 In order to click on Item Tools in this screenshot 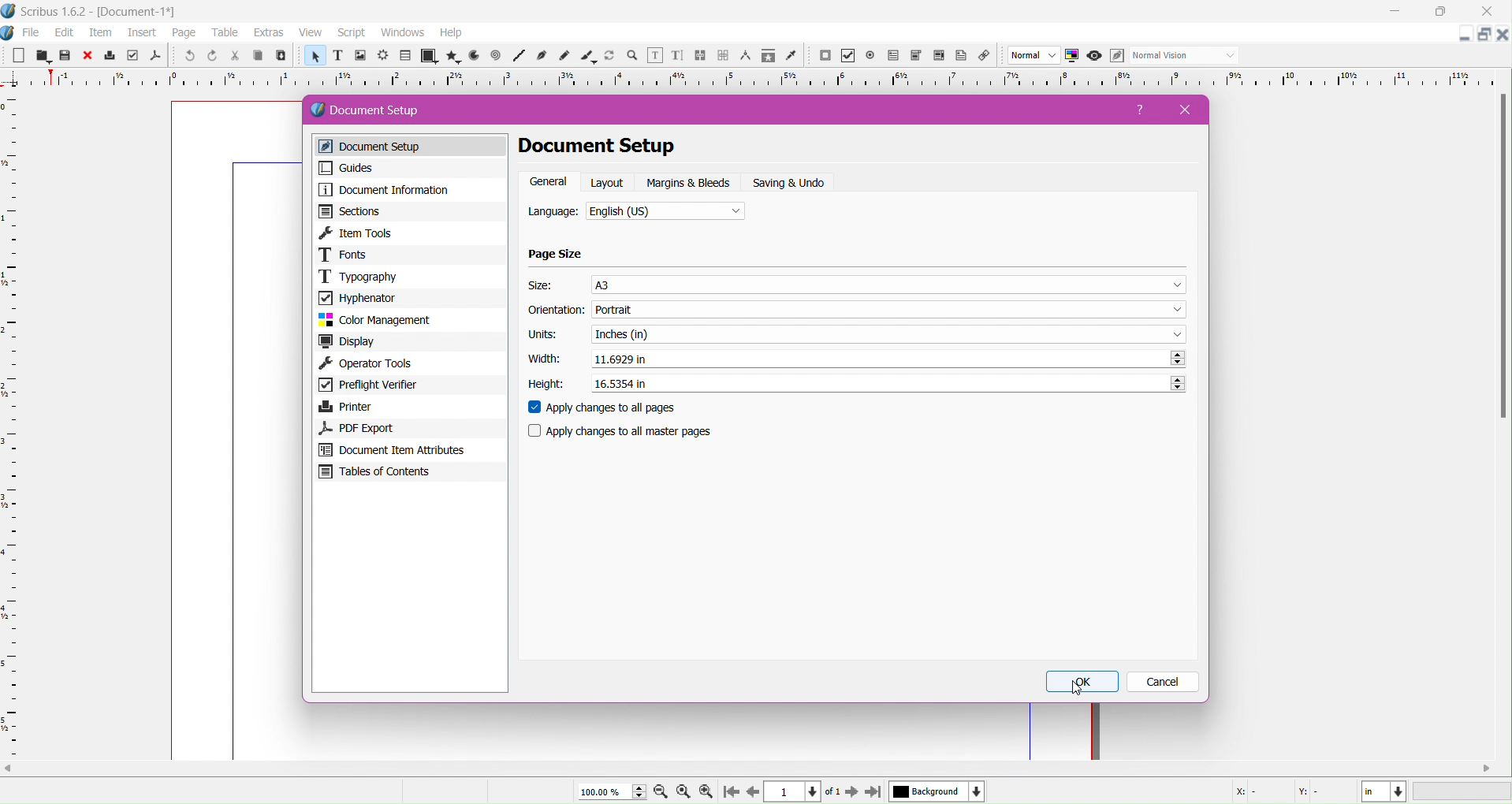, I will do `click(412, 233)`.